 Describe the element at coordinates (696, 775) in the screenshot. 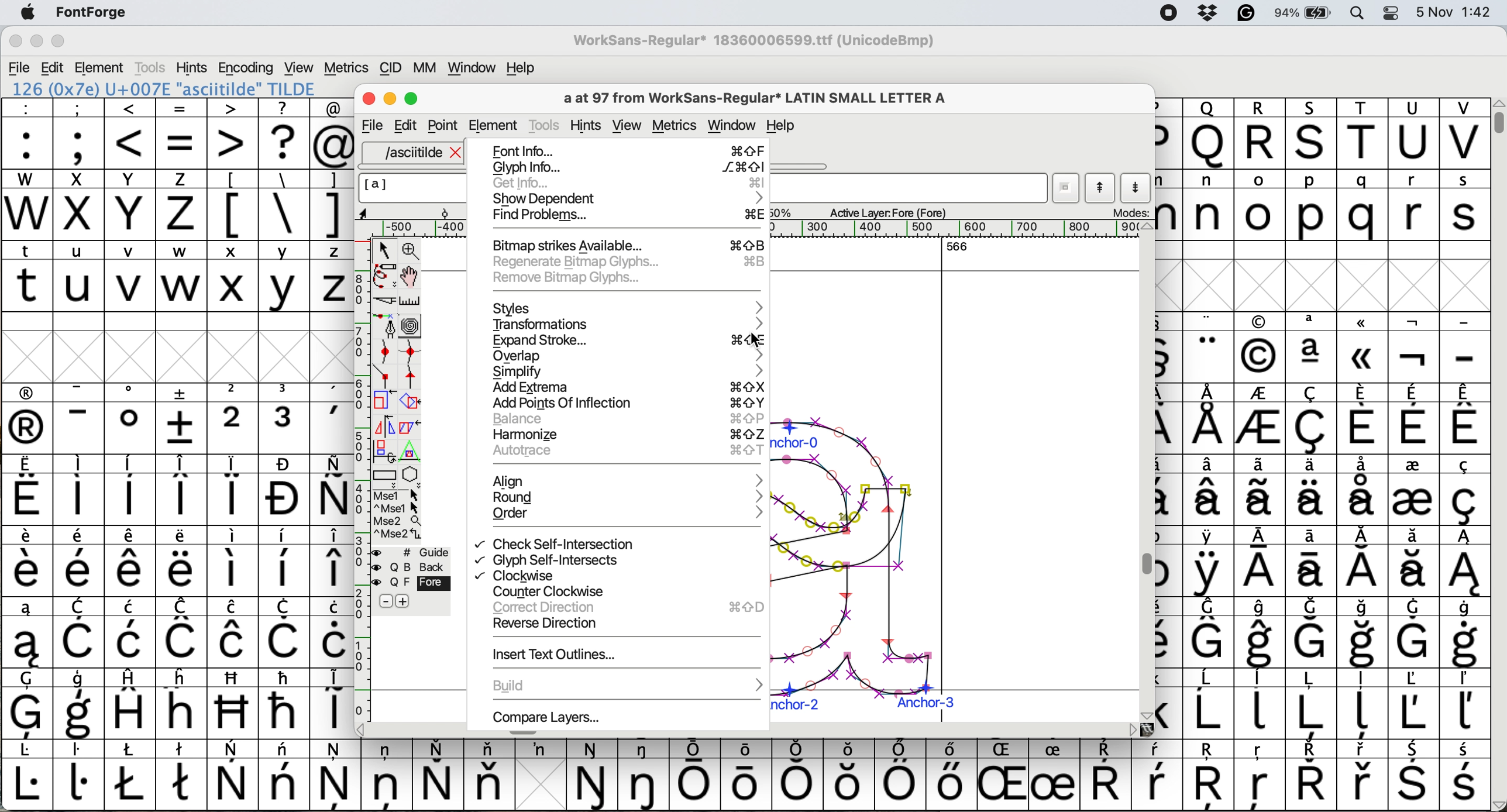

I see `symbol` at that location.